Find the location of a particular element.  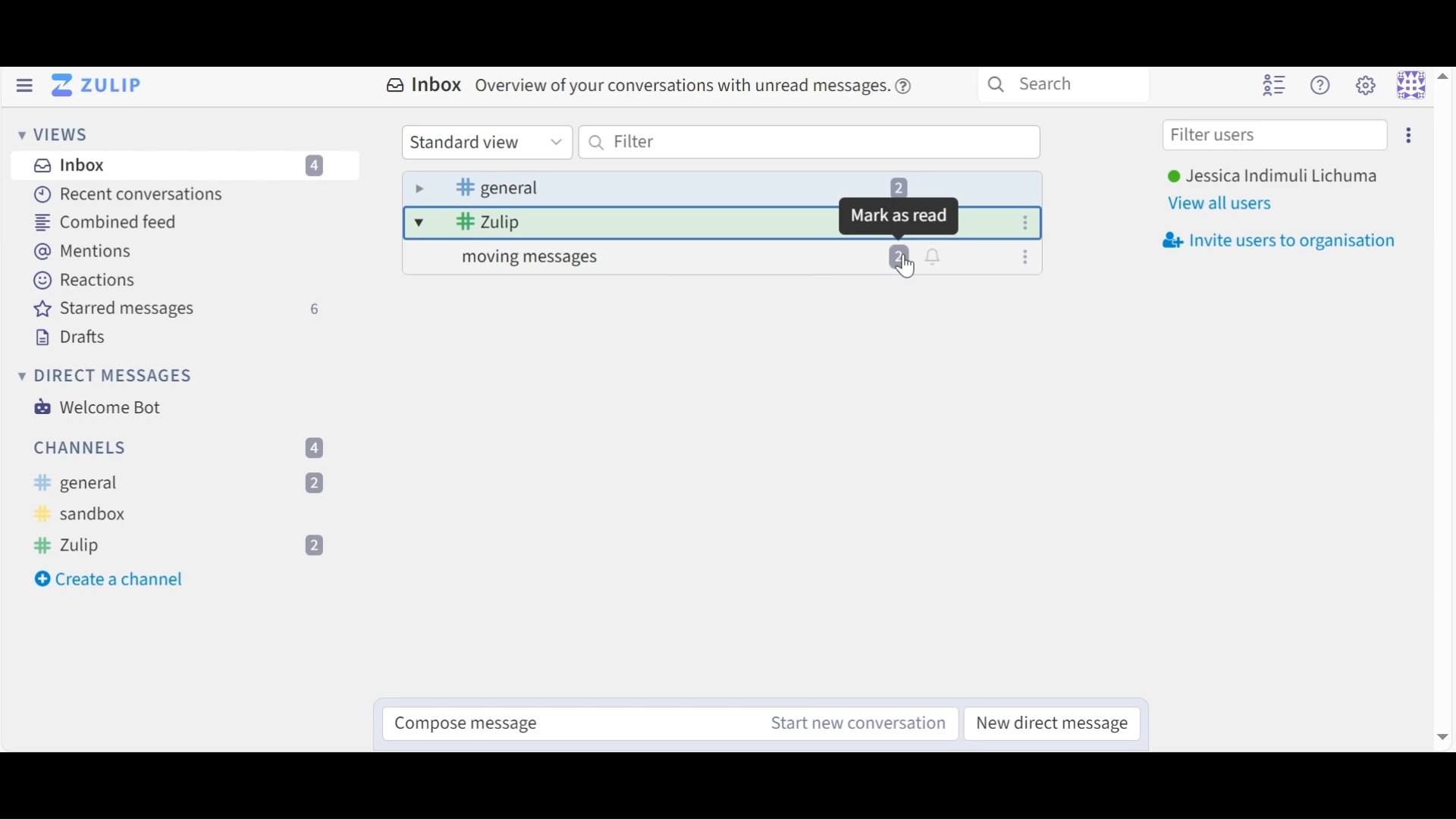

Inbox is located at coordinates (650, 83).